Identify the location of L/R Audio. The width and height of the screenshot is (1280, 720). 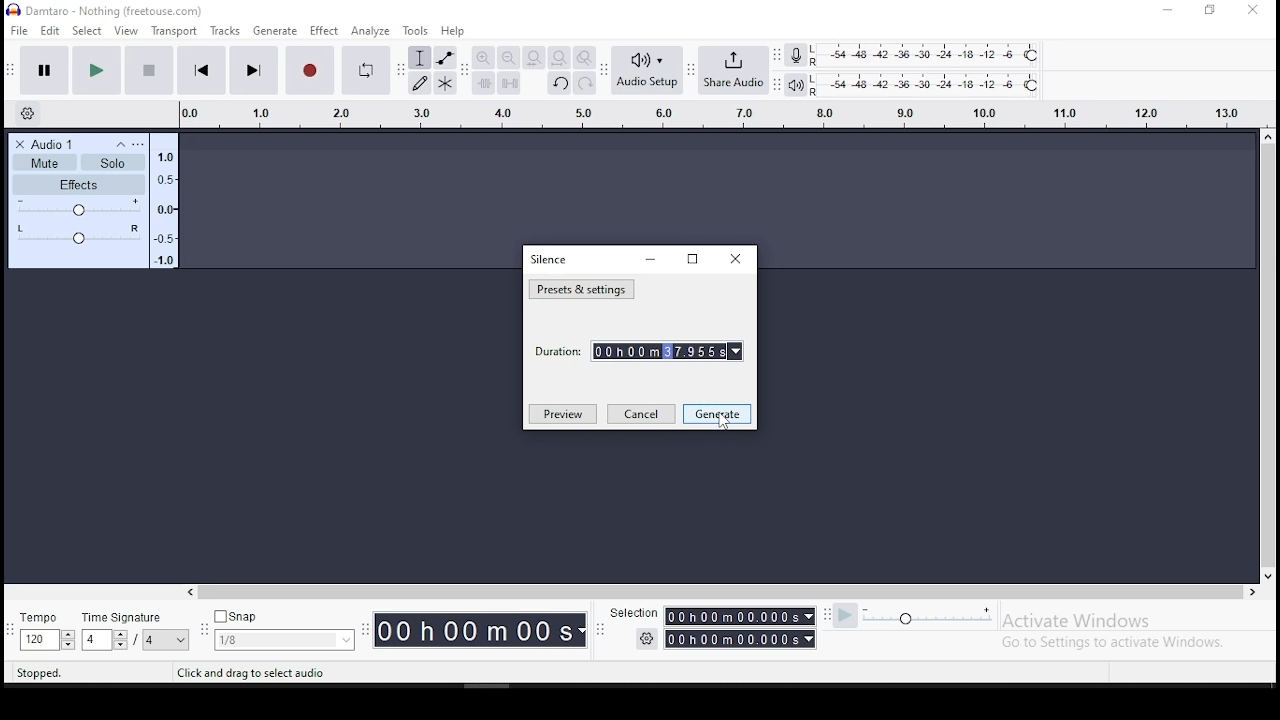
(77, 235).